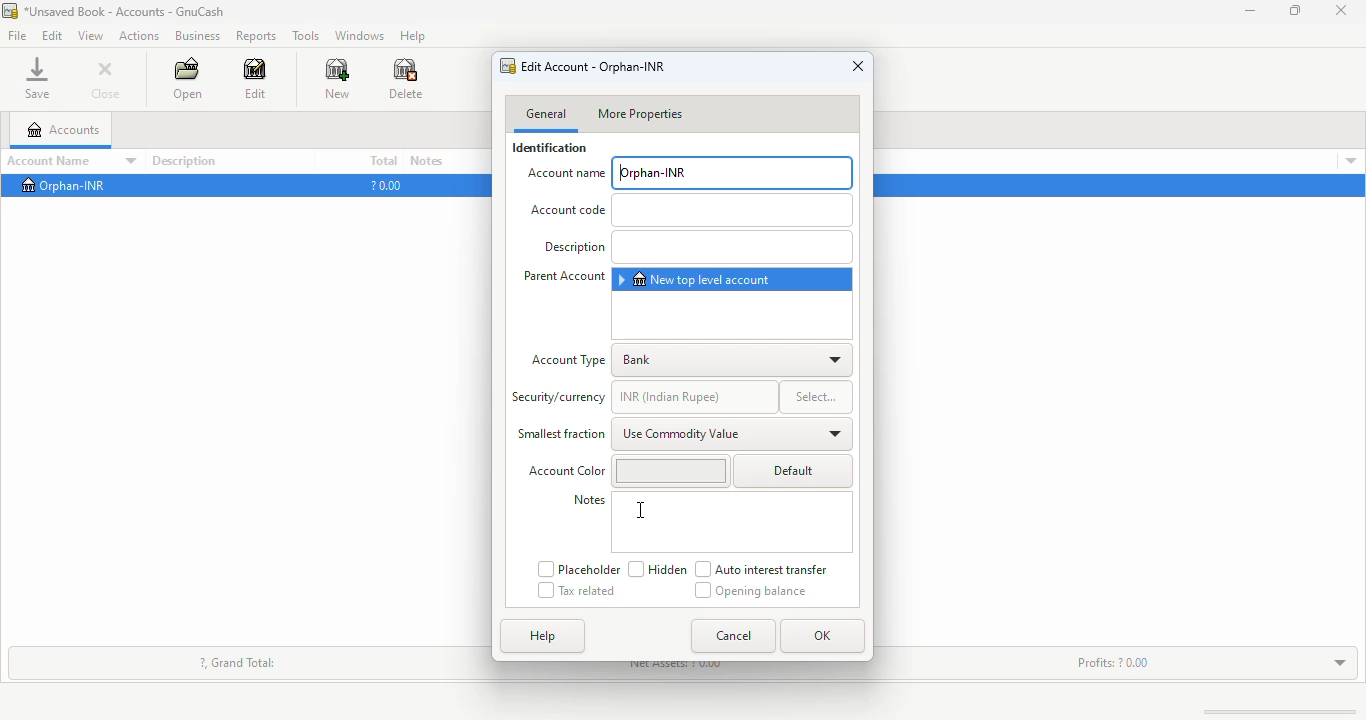  What do you see at coordinates (254, 79) in the screenshot?
I see `edit` at bounding box center [254, 79].